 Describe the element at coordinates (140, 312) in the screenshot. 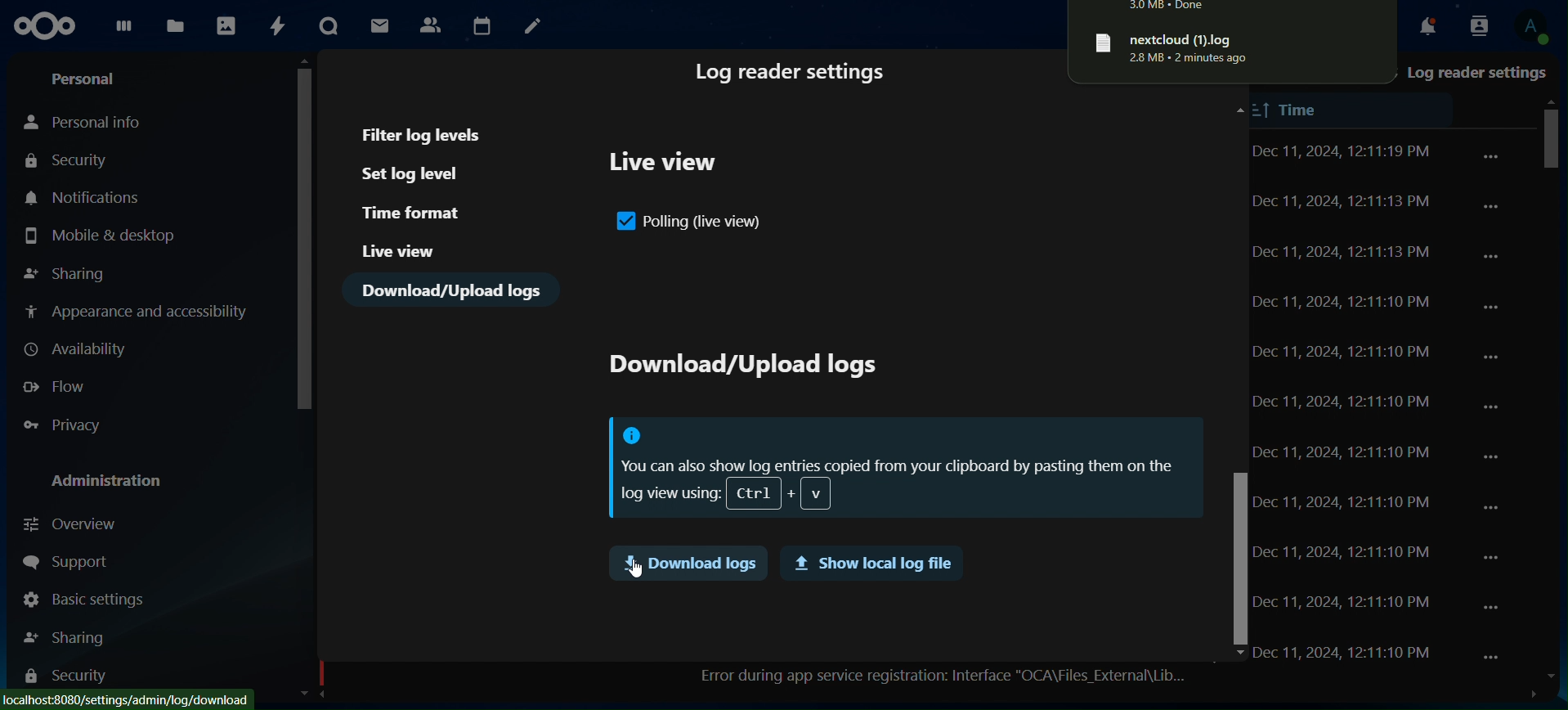

I see `appearance and accessibilty` at that location.